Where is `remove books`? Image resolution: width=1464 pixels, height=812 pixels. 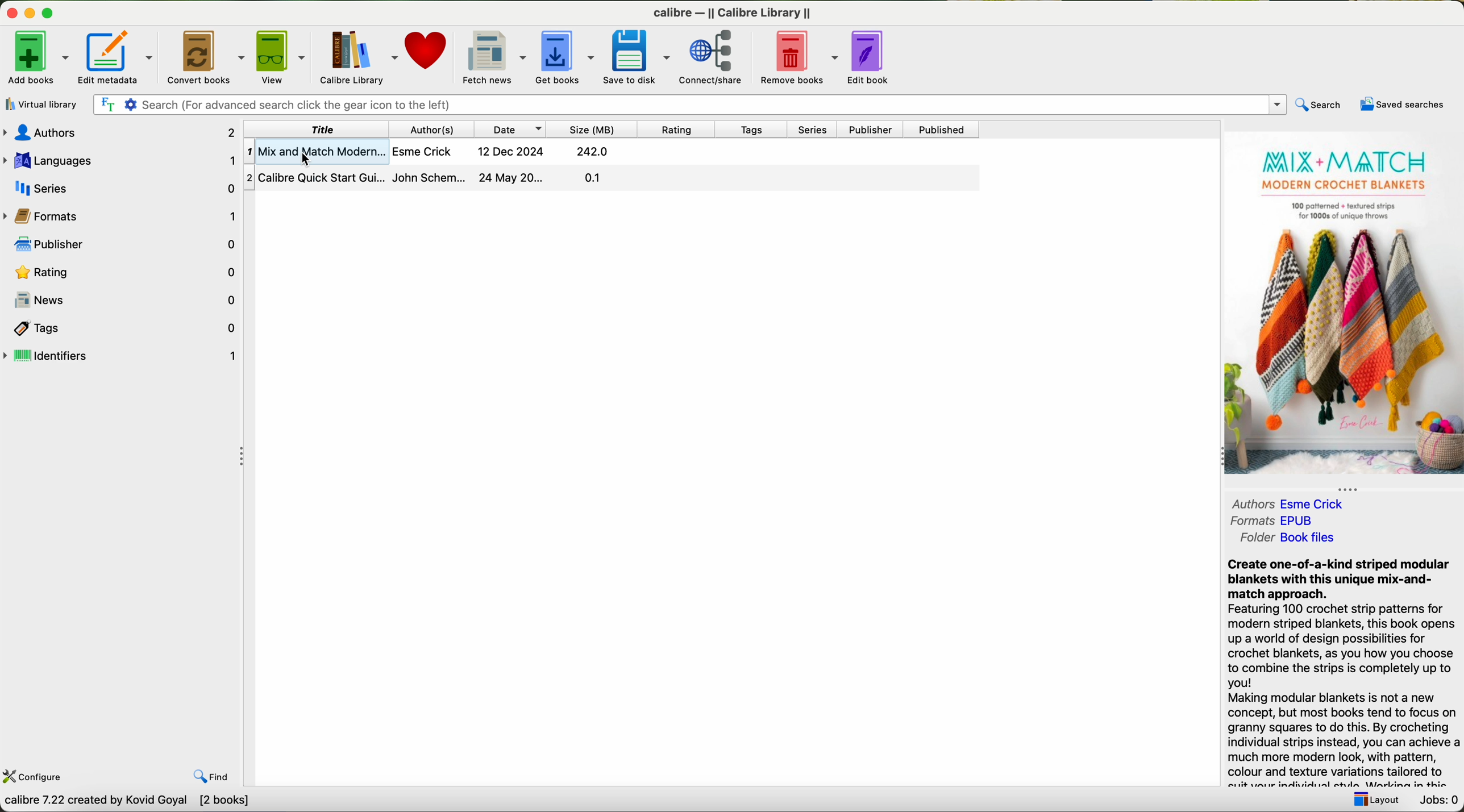 remove books is located at coordinates (798, 56).